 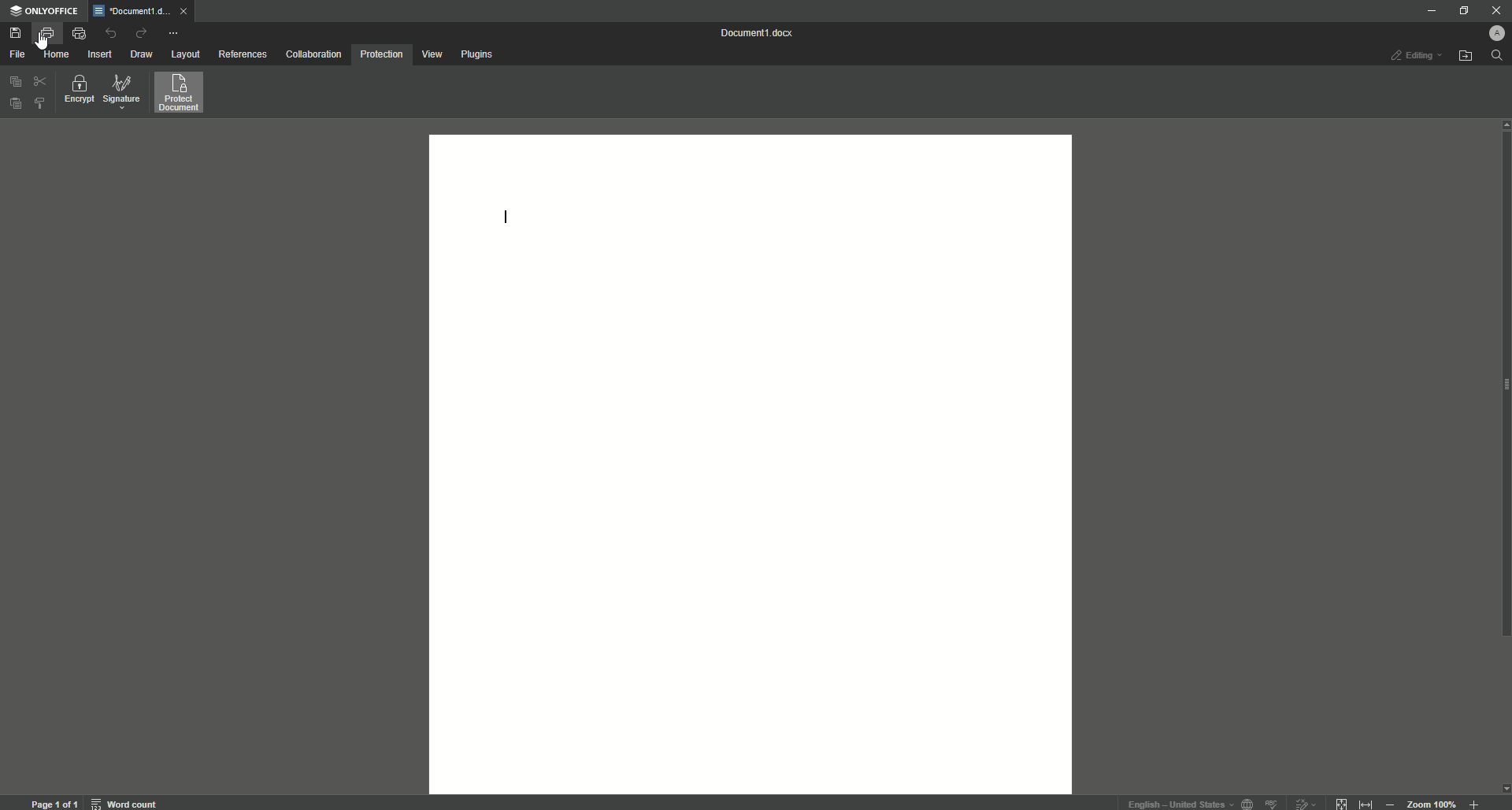 What do you see at coordinates (480, 54) in the screenshot?
I see `Plugins` at bounding box center [480, 54].